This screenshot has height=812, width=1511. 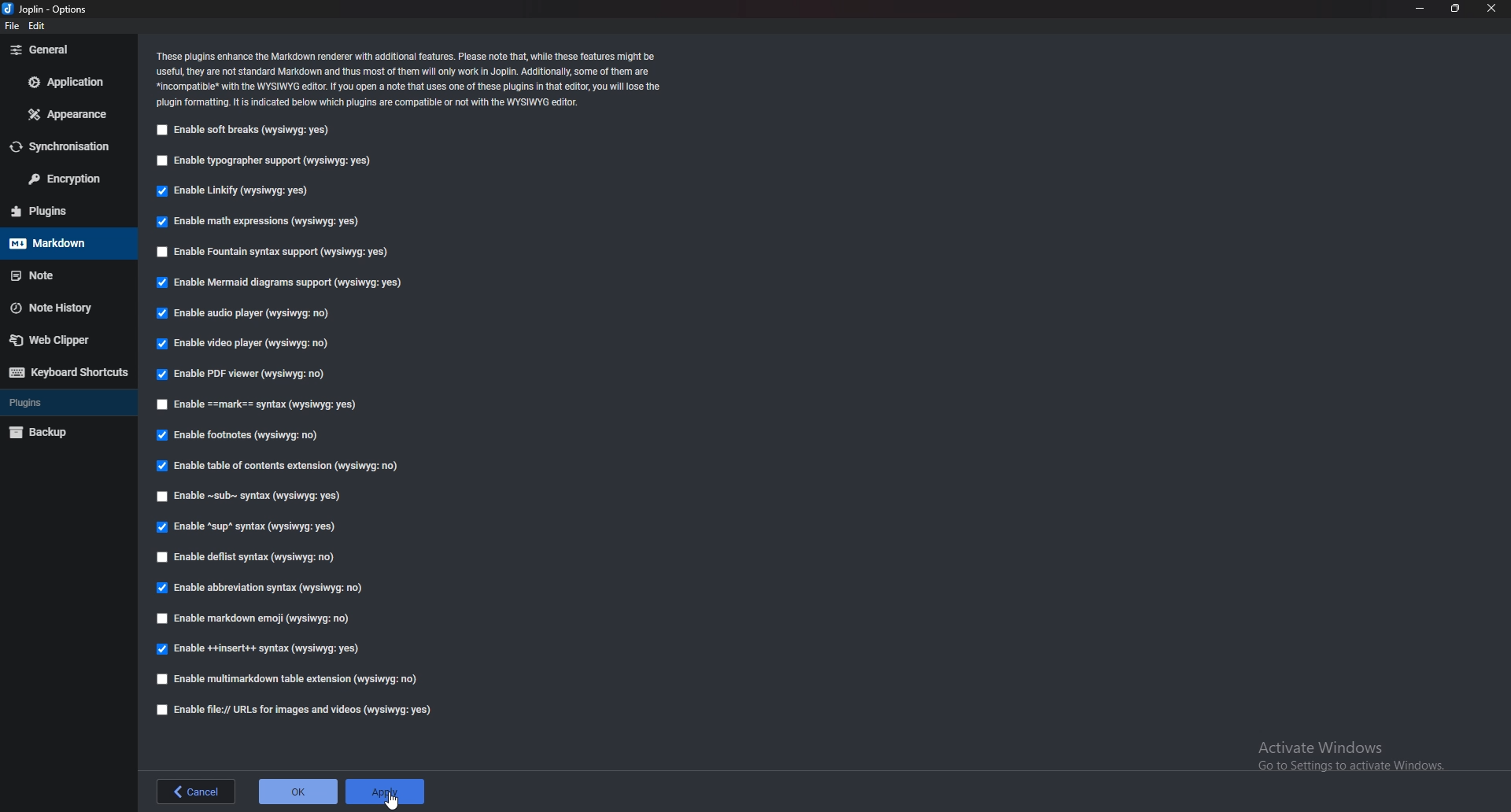 What do you see at coordinates (65, 83) in the screenshot?
I see `Application` at bounding box center [65, 83].